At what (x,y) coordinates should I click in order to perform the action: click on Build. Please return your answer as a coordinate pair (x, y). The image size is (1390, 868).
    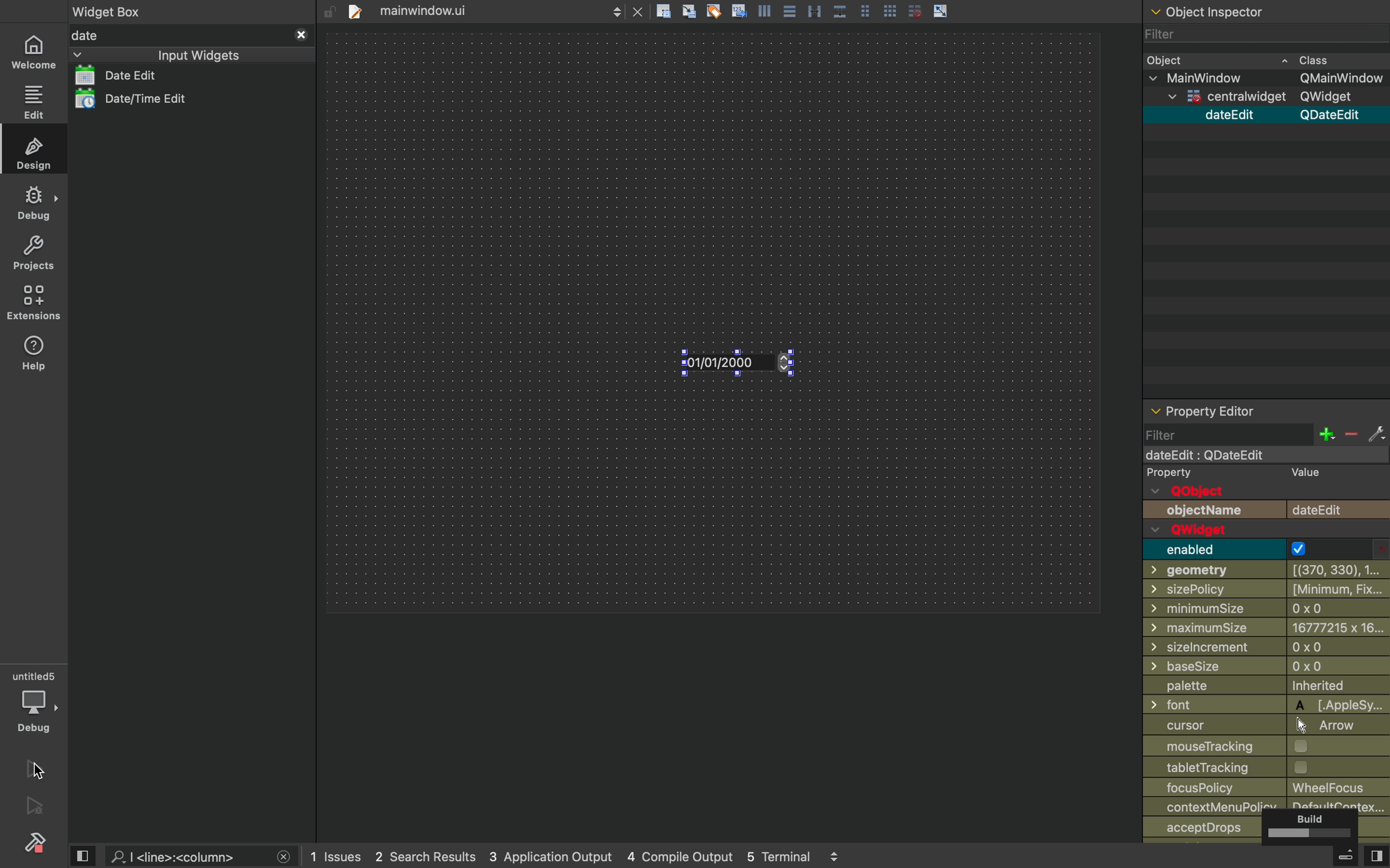
    Looking at the image, I should click on (1310, 826).